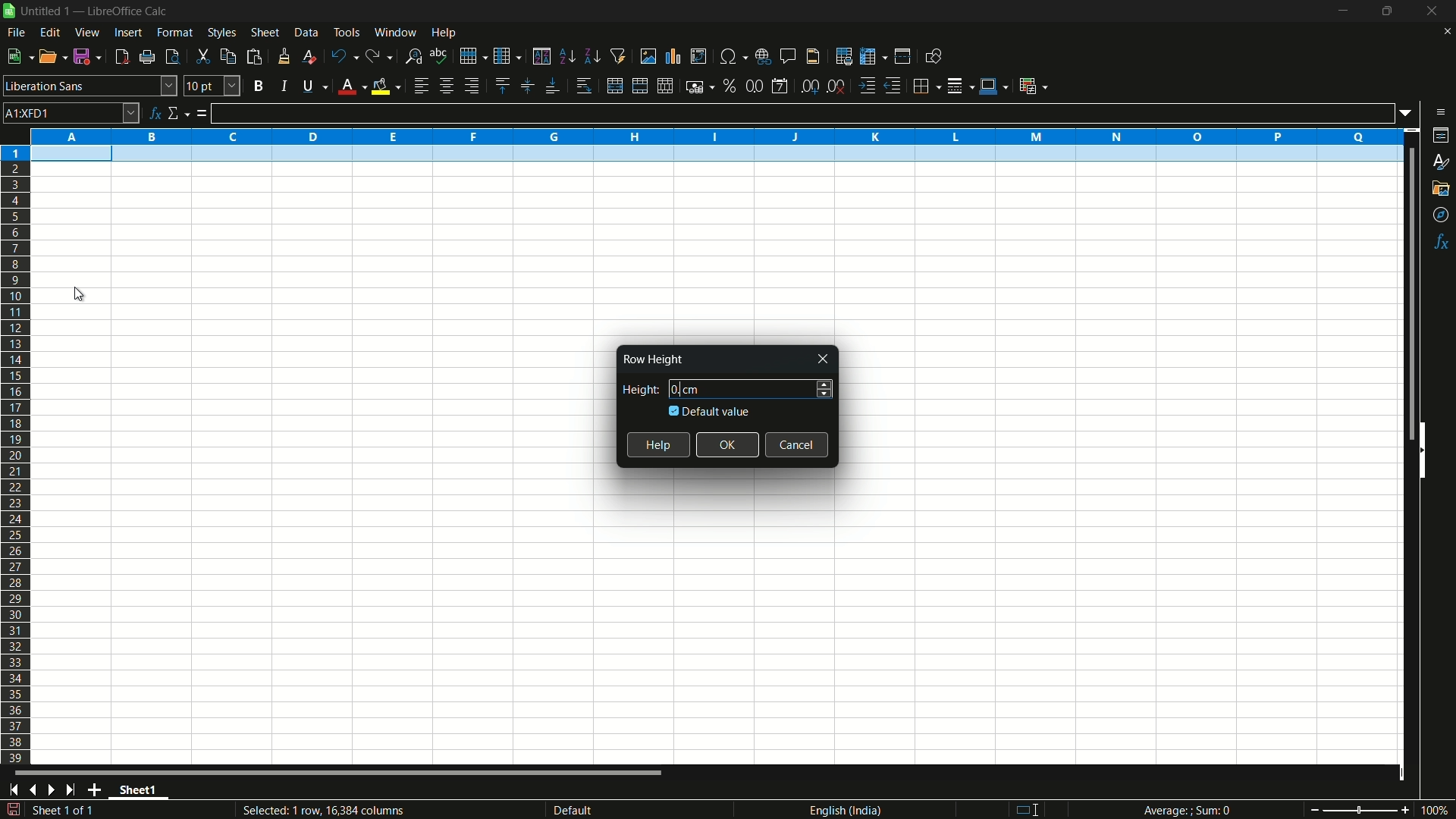 The height and width of the screenshot is (819, 1456). I want to click on current zoom 100%, so click(1437, 810).